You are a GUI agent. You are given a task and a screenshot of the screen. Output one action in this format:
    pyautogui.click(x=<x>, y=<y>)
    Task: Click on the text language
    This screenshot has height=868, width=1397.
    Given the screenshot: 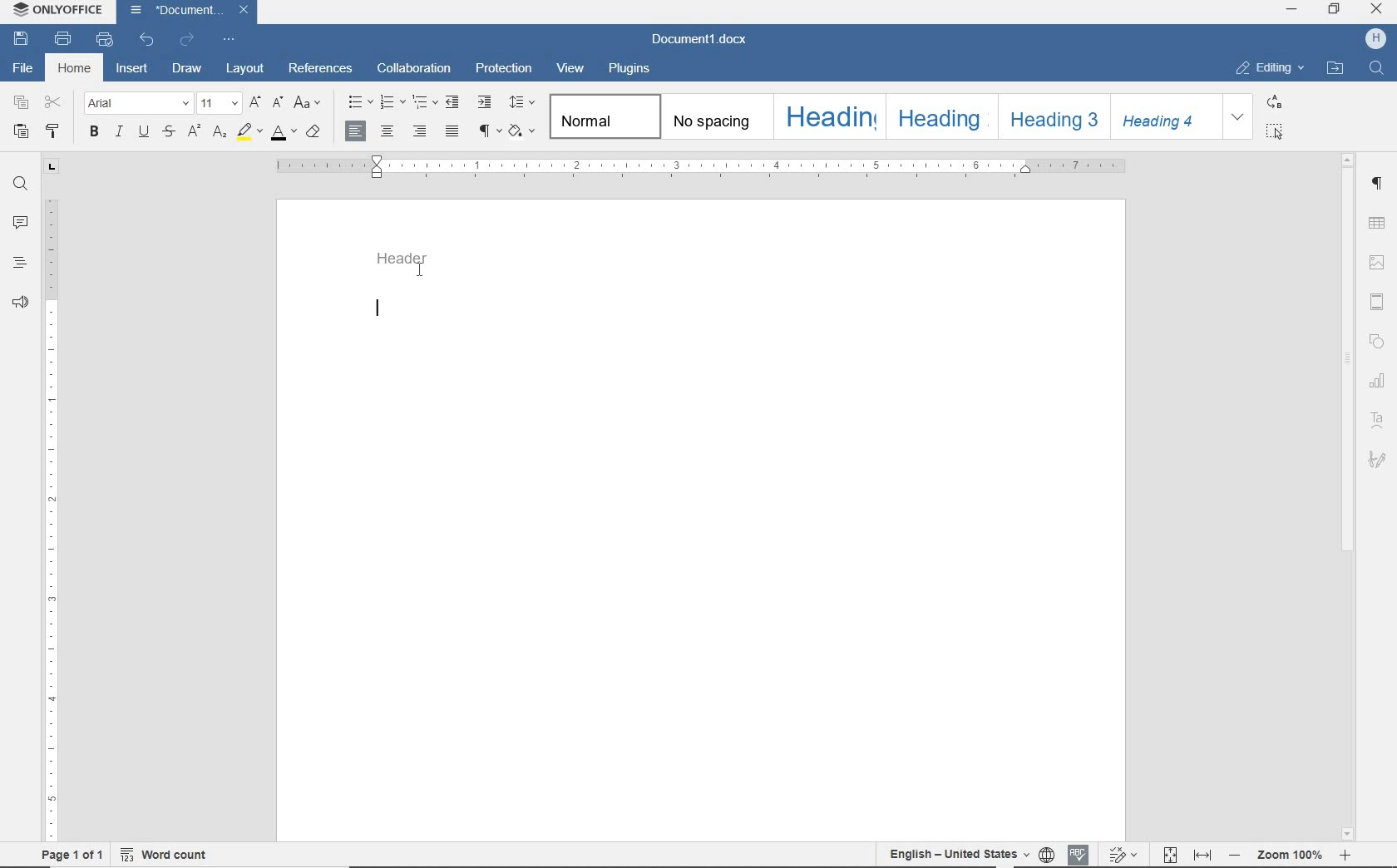 What is the action you would take?
    pyautogui.click(x=955, y=852)
    